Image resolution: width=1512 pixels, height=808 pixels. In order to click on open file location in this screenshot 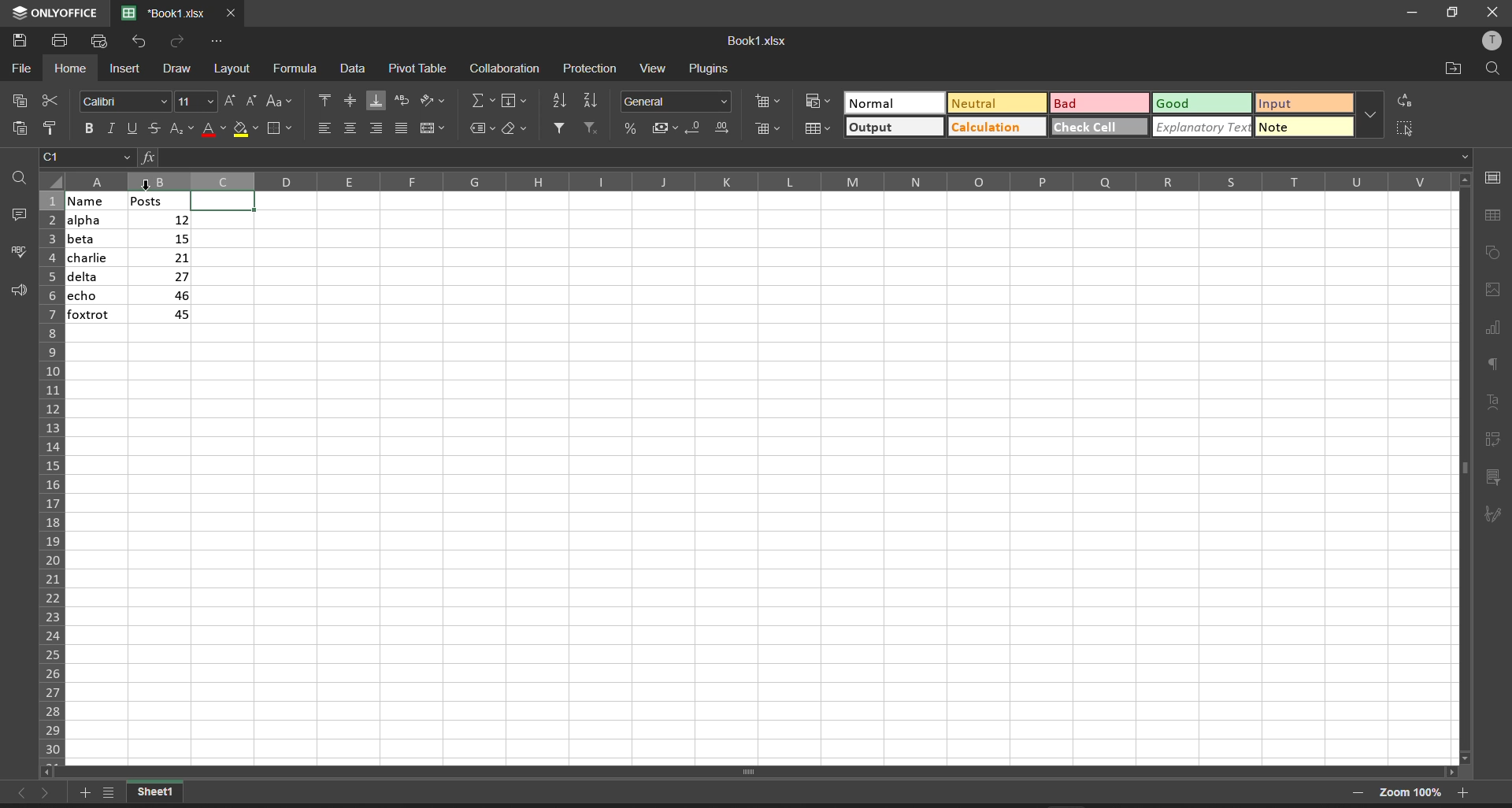, I will do `click(1454, 70)`.